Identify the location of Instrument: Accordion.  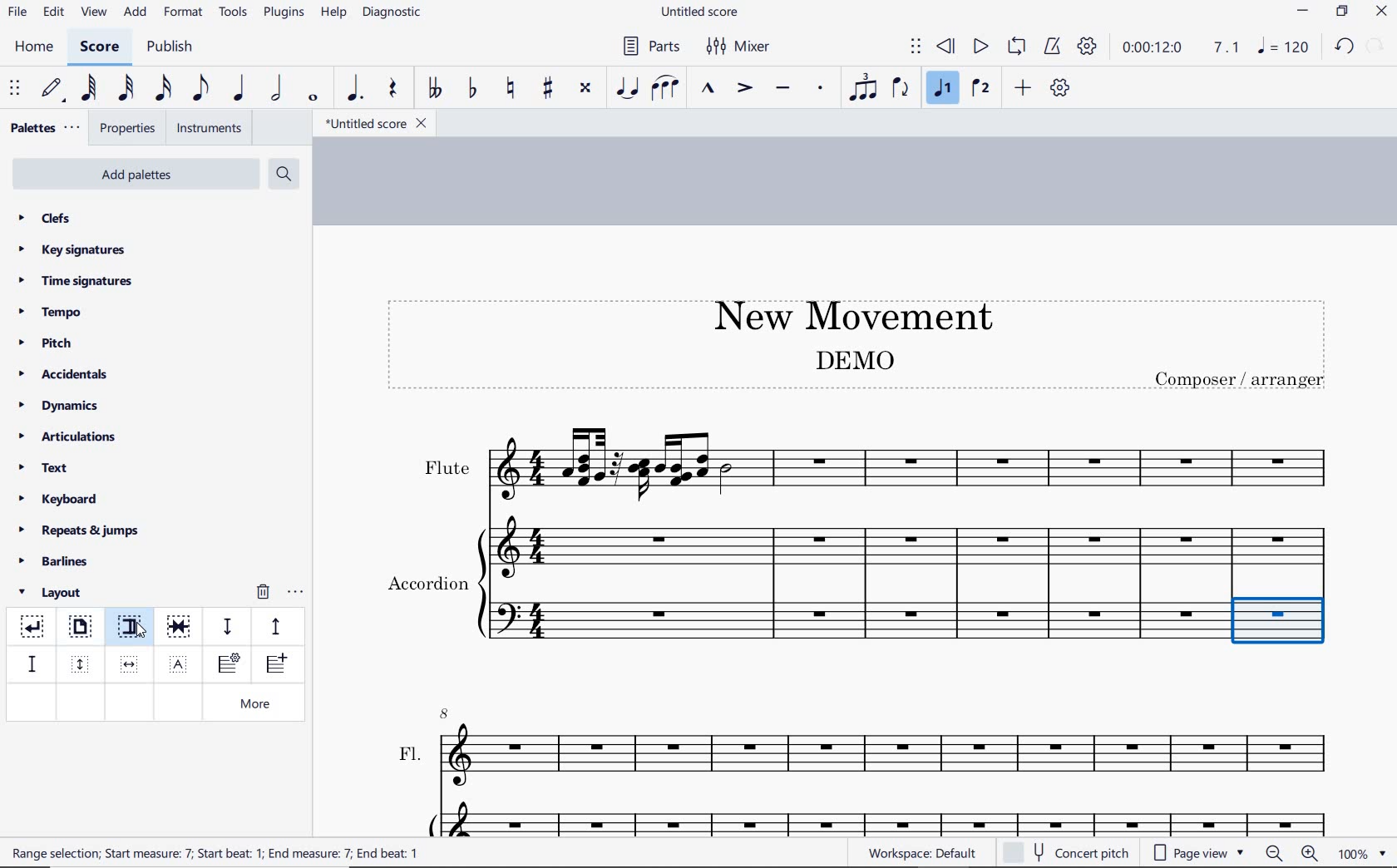
(912, 584).